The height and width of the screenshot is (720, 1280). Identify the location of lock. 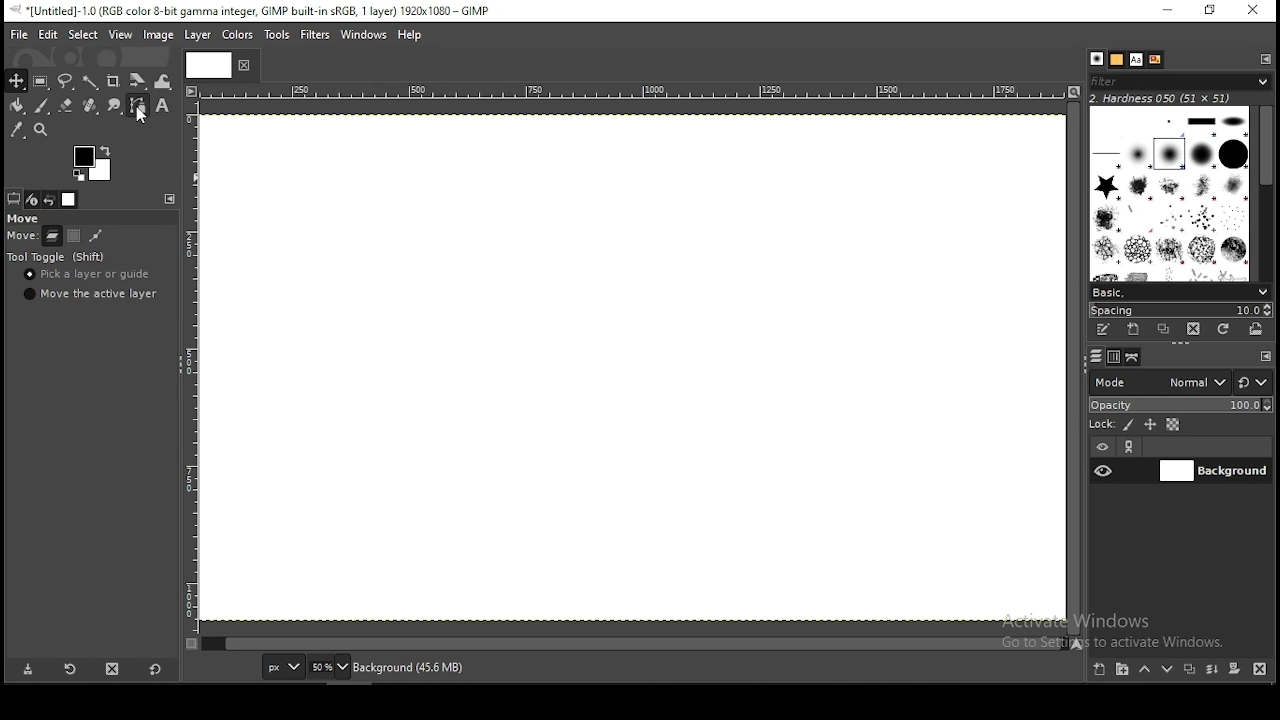
(1102, 423).